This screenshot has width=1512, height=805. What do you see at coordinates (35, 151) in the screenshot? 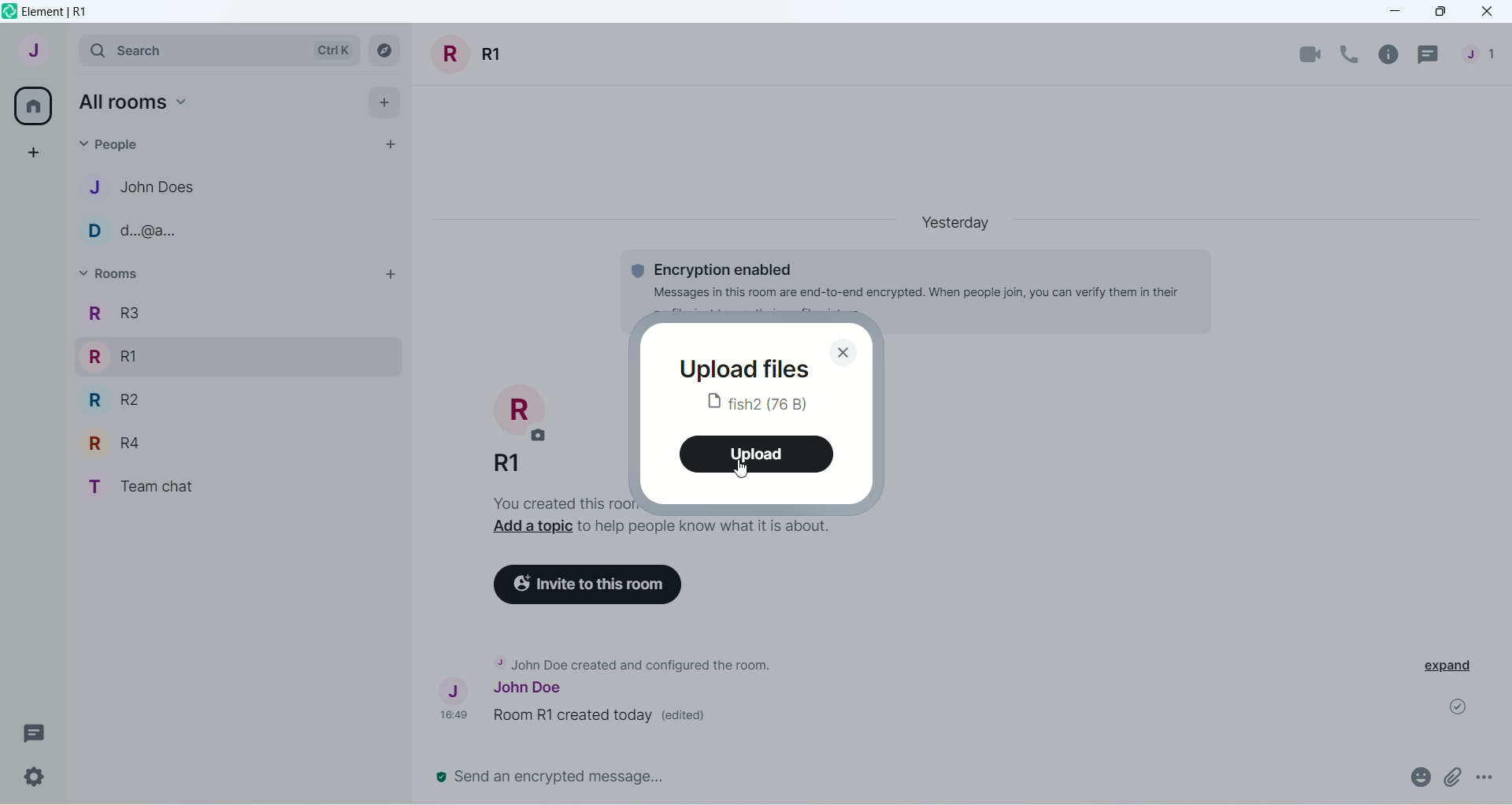
I see `create a space` at bounding box center [35, 151].